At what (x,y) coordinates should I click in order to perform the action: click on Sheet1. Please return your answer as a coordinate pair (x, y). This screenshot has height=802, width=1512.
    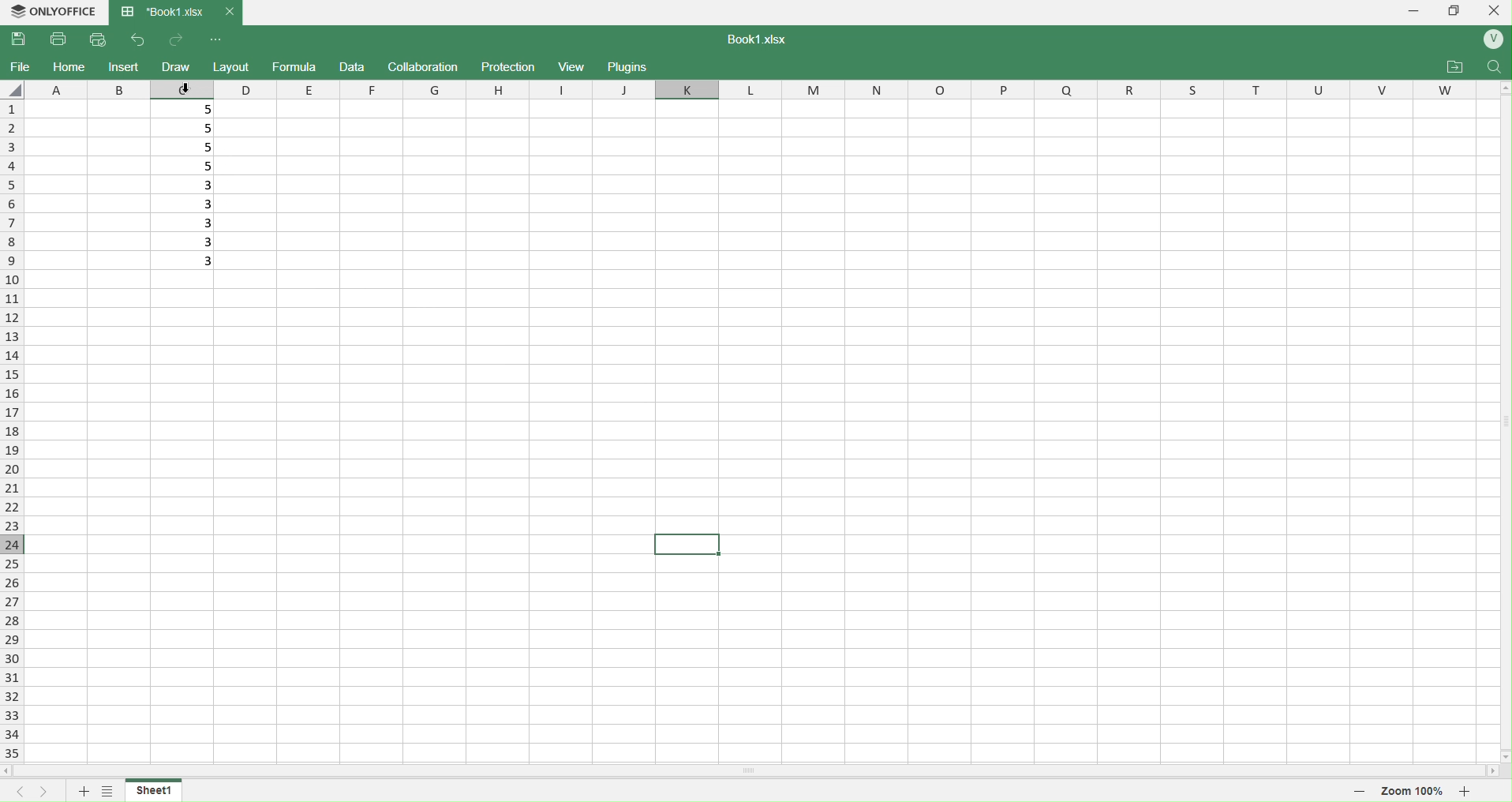
    Looking at the image, I should click on (161, 790).